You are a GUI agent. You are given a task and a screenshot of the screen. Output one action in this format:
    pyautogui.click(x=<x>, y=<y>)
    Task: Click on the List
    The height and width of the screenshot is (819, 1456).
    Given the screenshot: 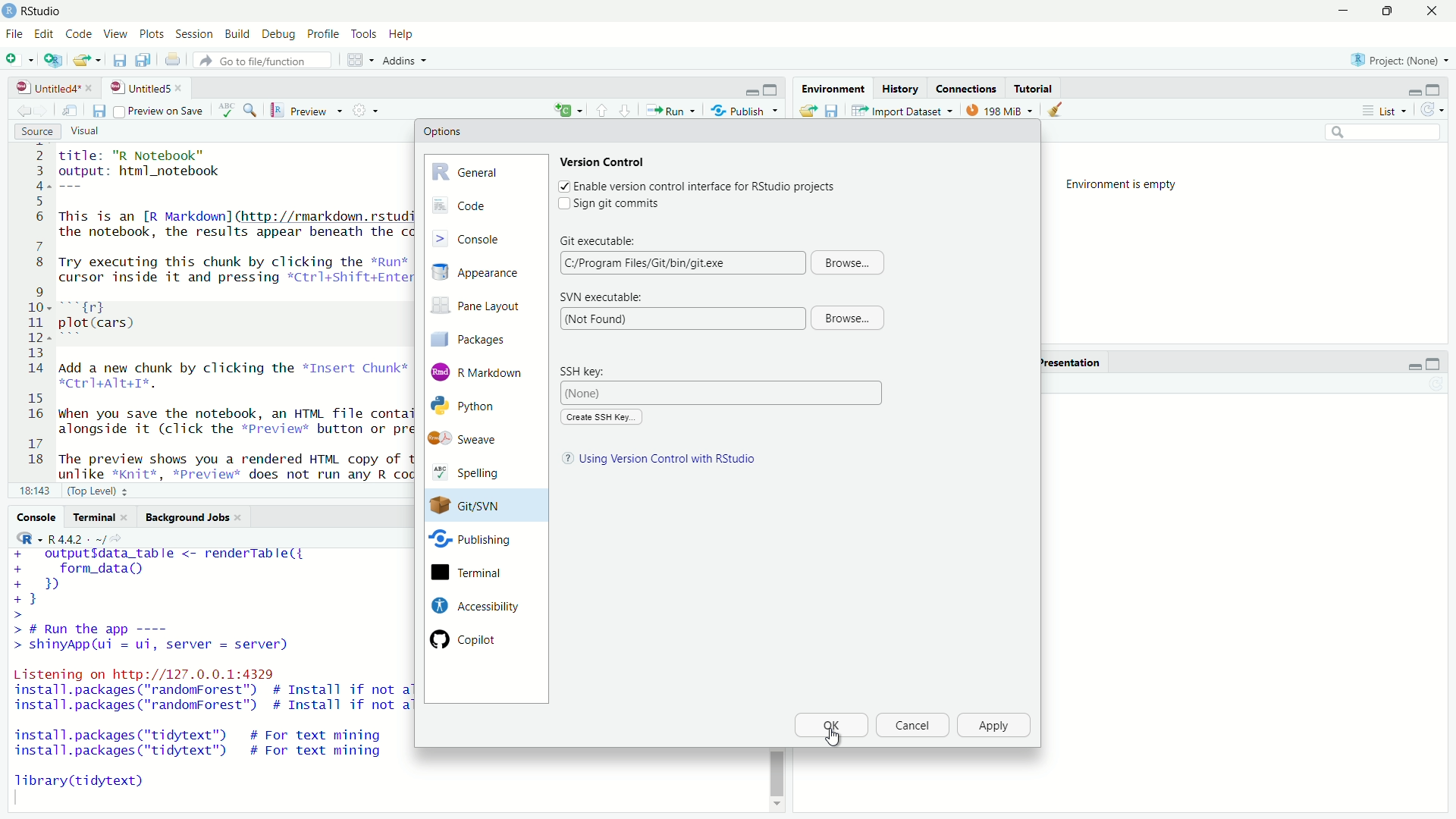 What is the action you would take?
    pyautogui.click(x=1389, y=111)
    